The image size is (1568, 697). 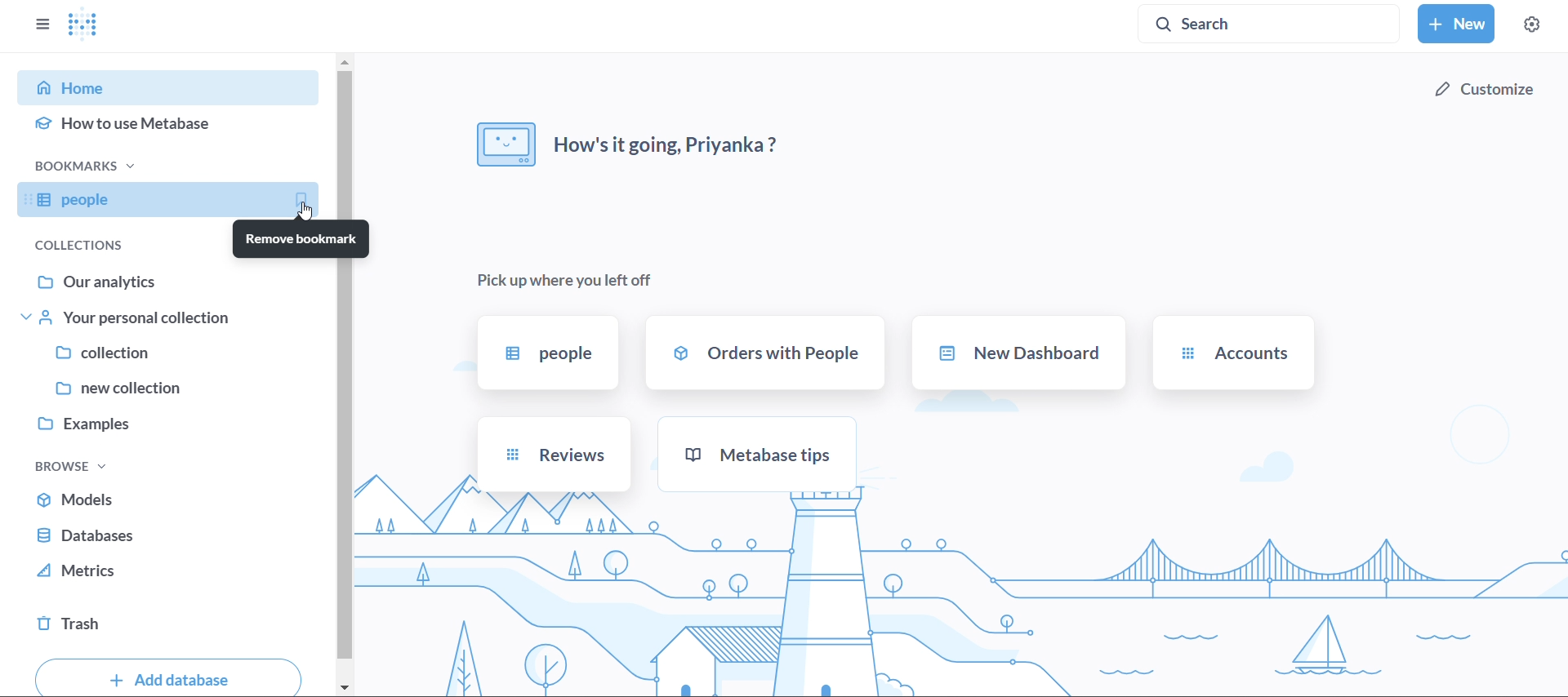 I want to click on prople, so click(x=163, y=198).